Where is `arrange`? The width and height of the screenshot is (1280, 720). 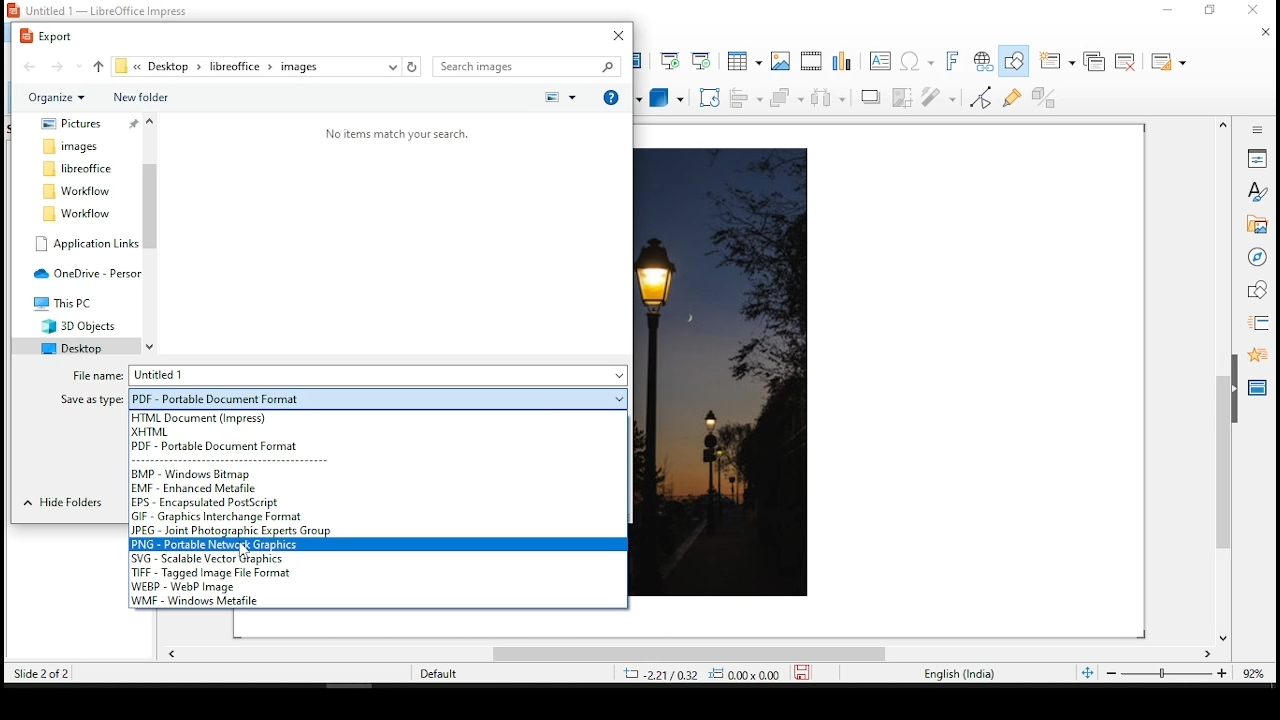
arrange is located at coordinates (787, 100).